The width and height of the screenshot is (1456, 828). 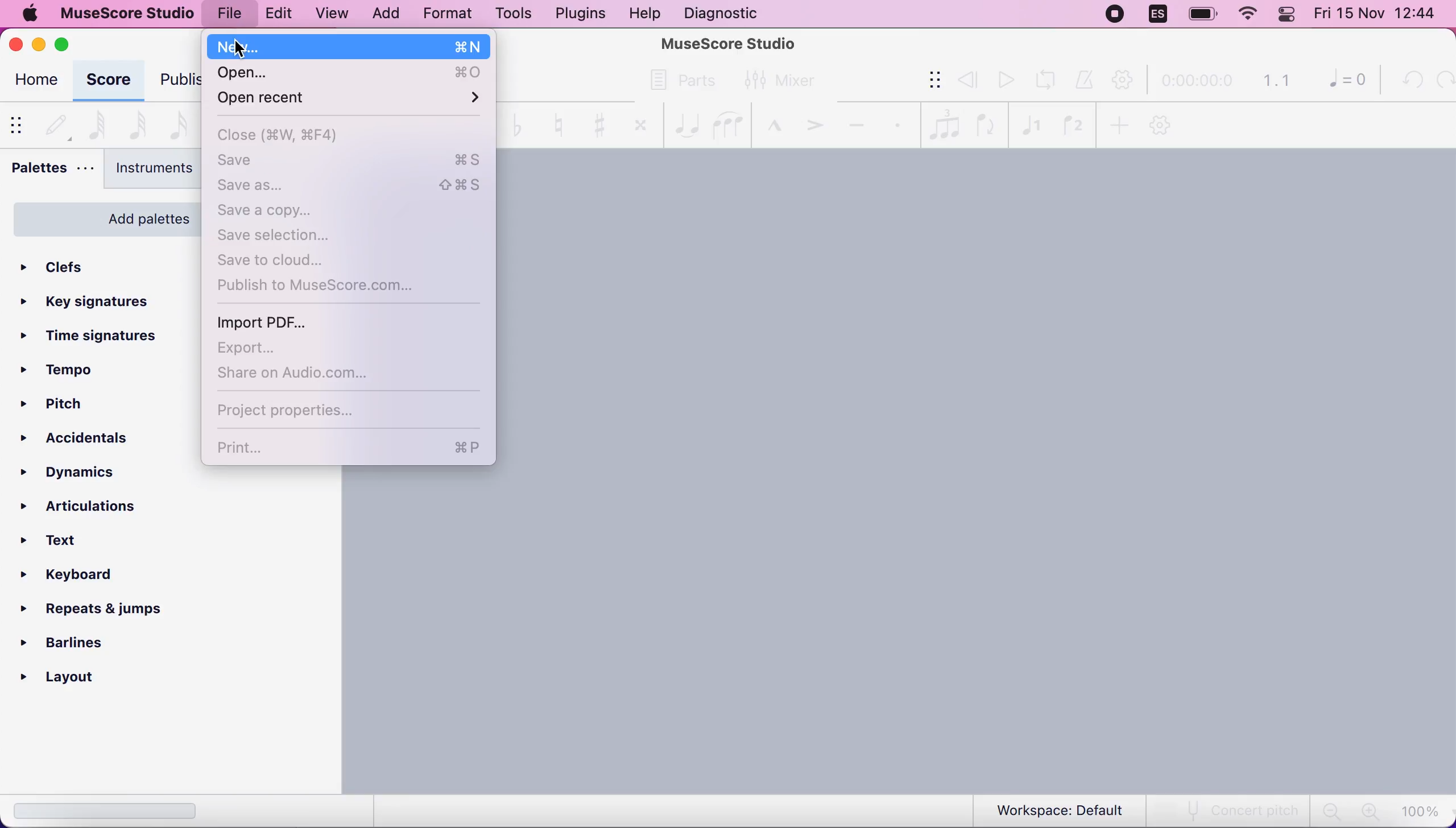 What do you see at coordinates (320, 374) in the screenshot?
I see `share on audio.com` at bounding box center [320, 374].